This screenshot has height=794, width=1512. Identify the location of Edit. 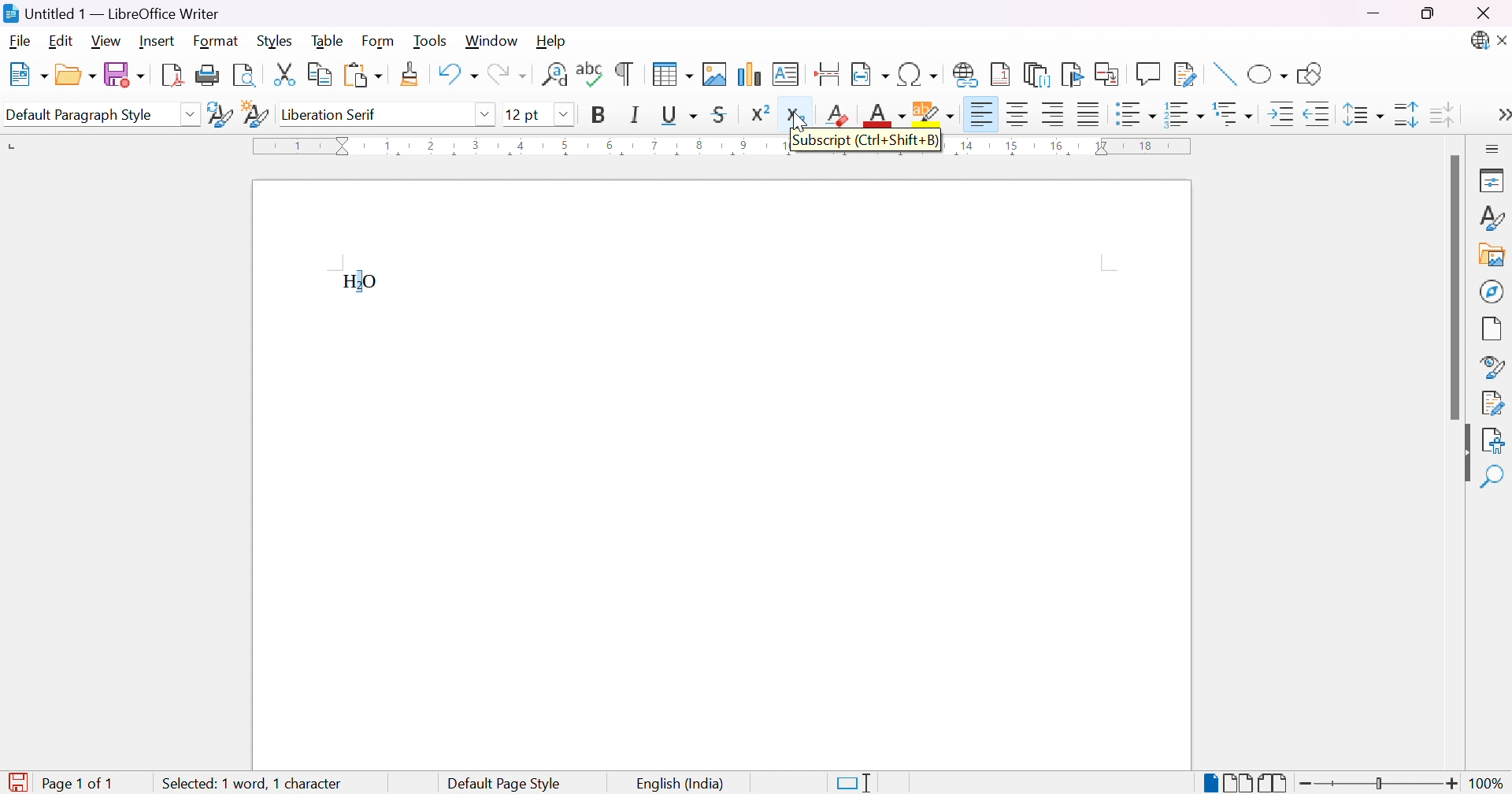
(64, 42).